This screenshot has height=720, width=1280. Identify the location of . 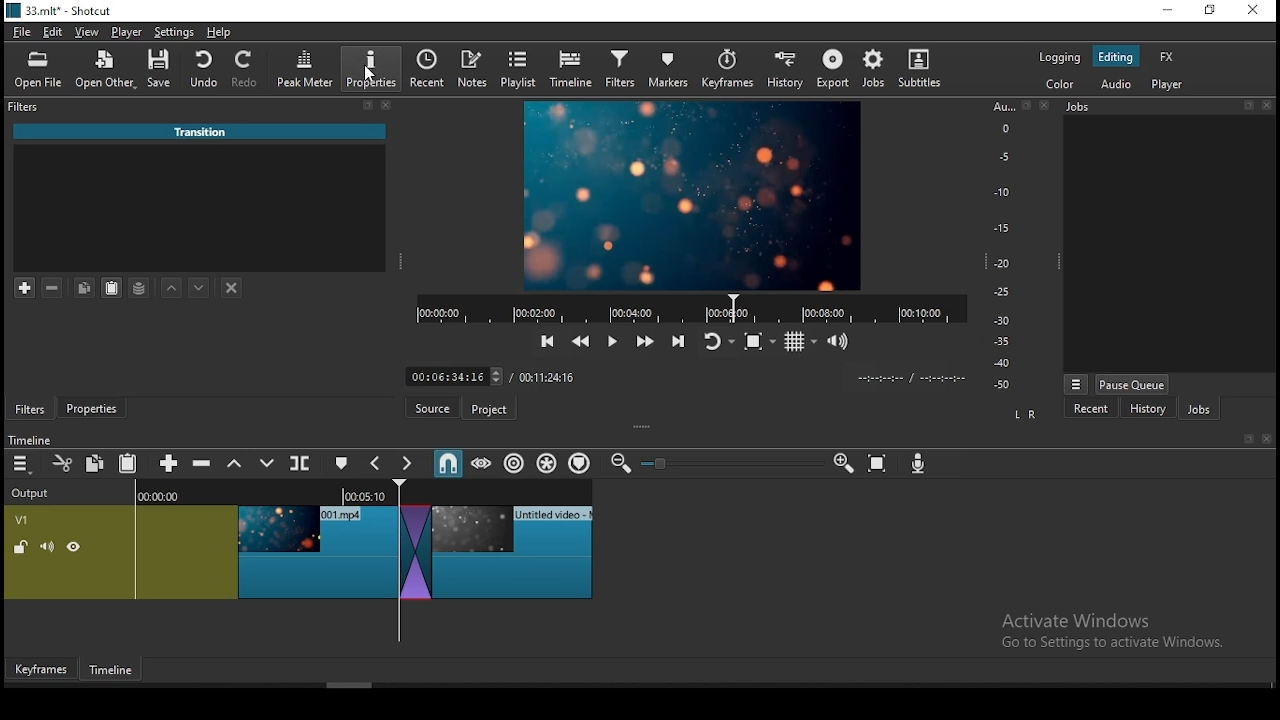
(1043, 106).